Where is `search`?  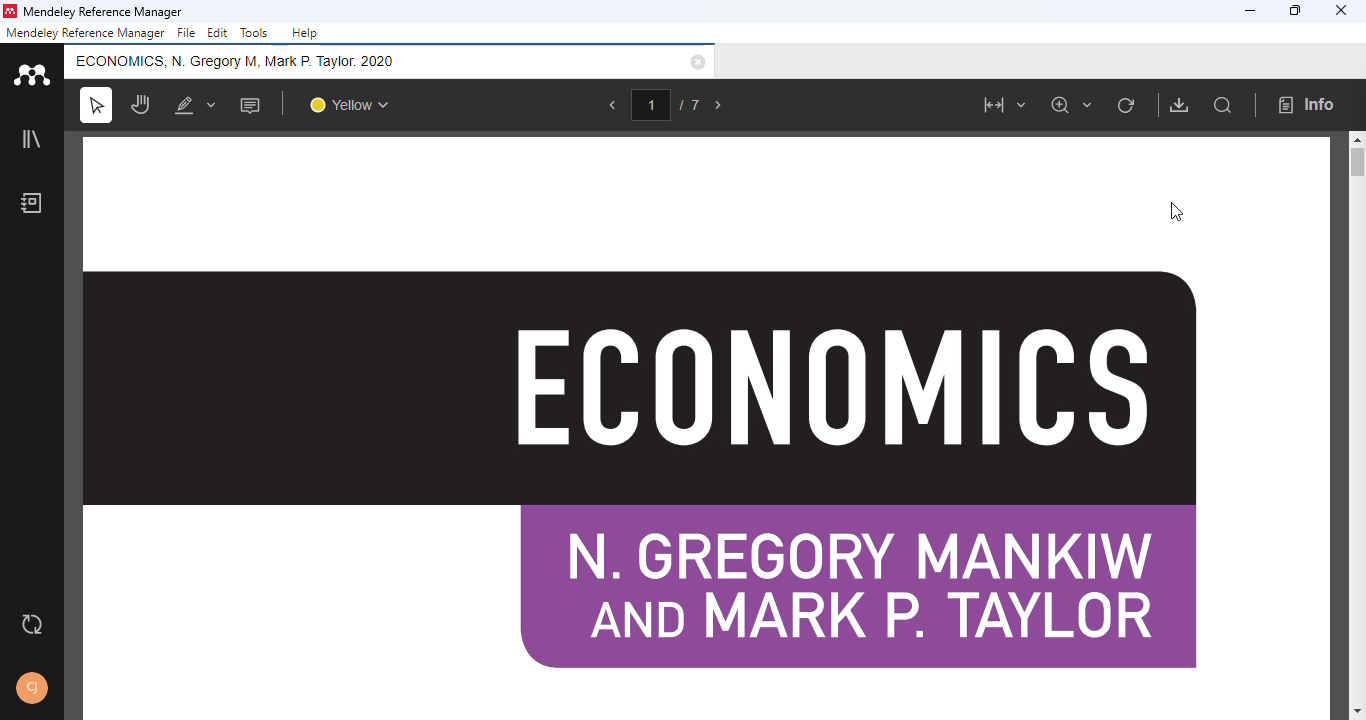 search is located at coordinates (1224, 106).